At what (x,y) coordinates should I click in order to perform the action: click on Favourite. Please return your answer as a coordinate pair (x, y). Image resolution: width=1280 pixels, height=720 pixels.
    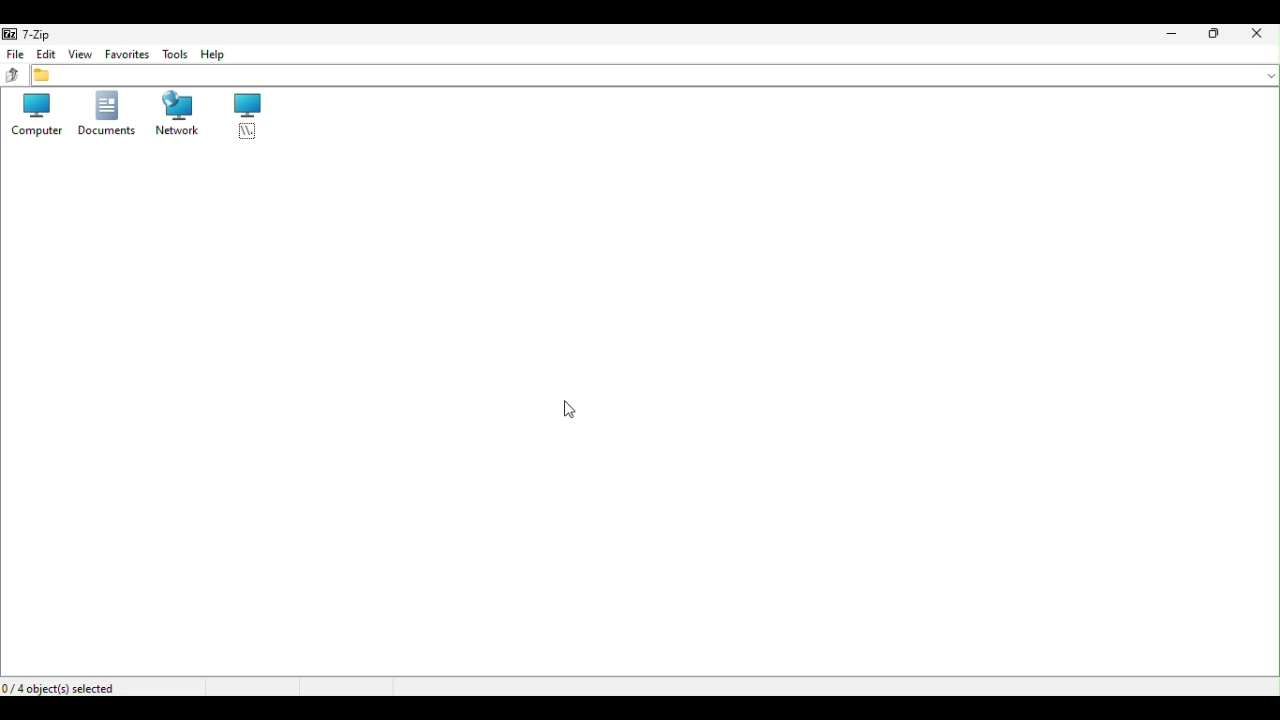
    Looking at the image, I should click on (126, 54).